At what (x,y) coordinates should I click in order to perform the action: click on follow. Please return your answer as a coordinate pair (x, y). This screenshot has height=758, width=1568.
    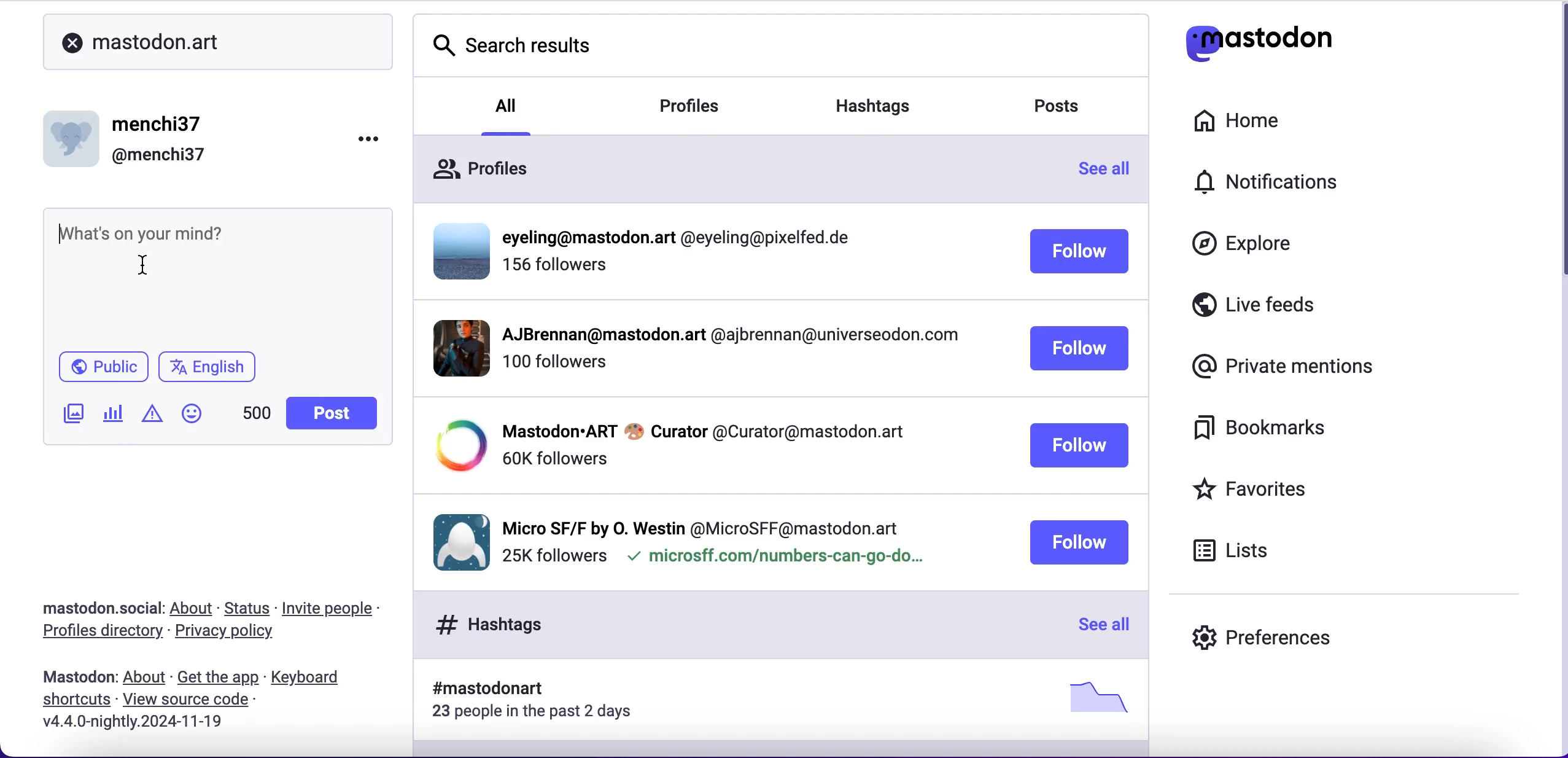
    Looking at the image, I should click on (1080, 350).